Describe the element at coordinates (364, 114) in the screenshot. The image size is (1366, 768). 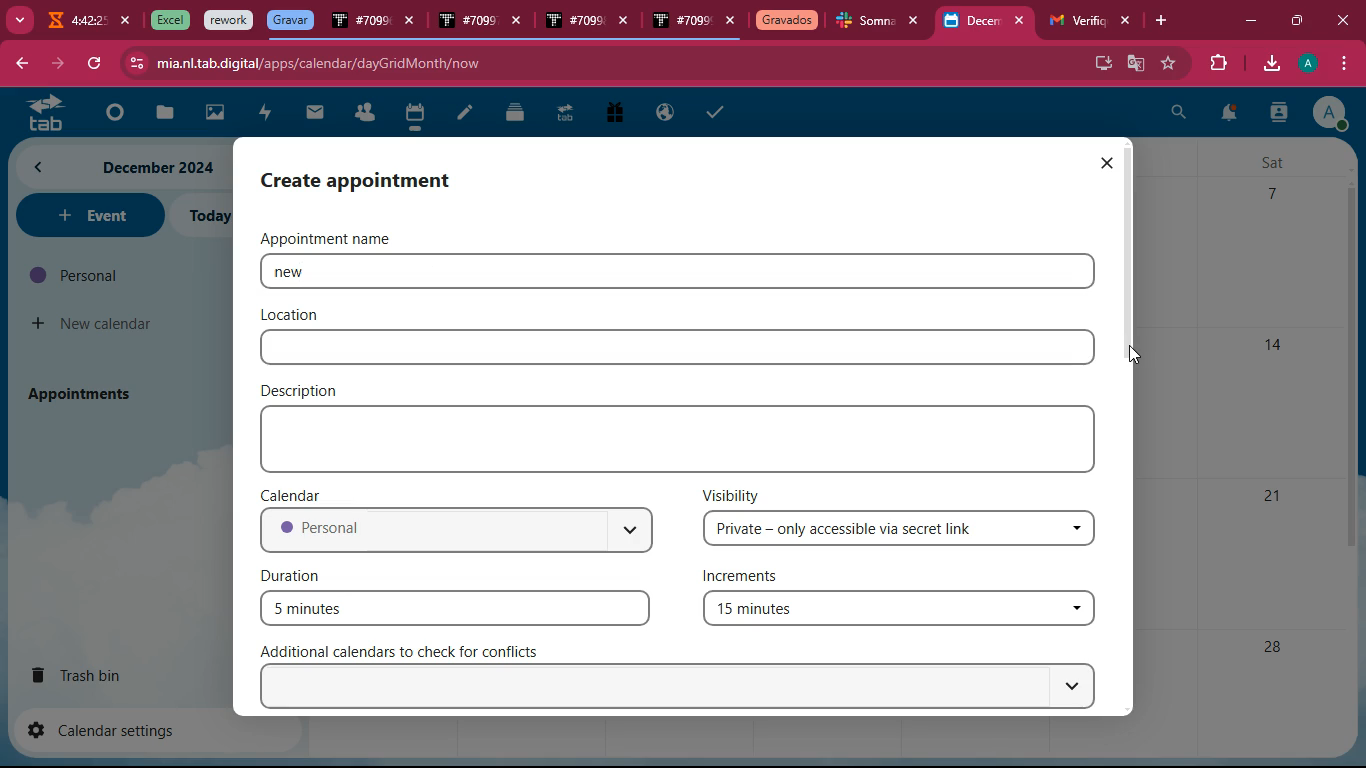
I see `people` at that location.